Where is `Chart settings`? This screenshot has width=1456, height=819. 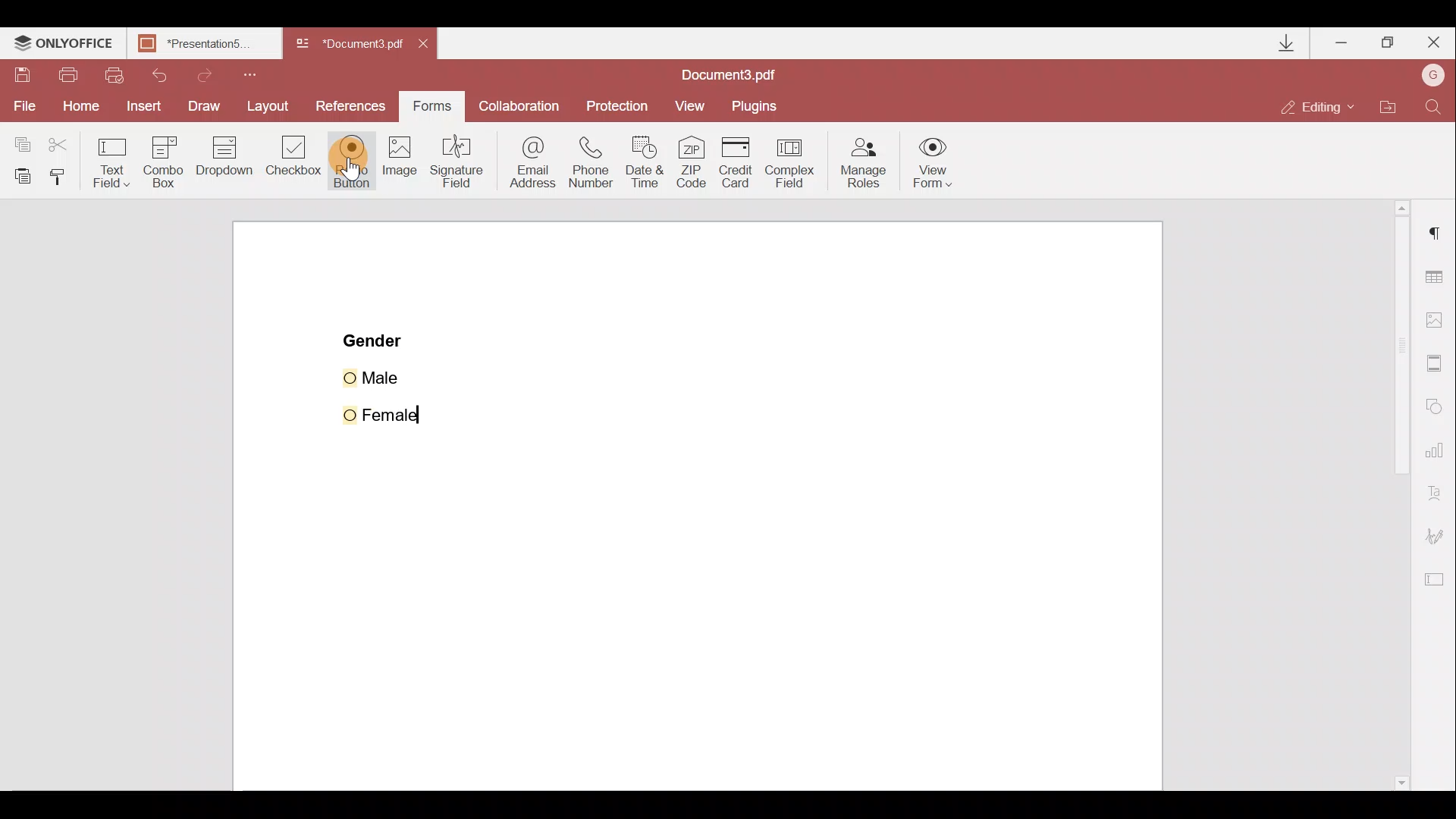
Chart settings is located at coordinates (1437, 456).